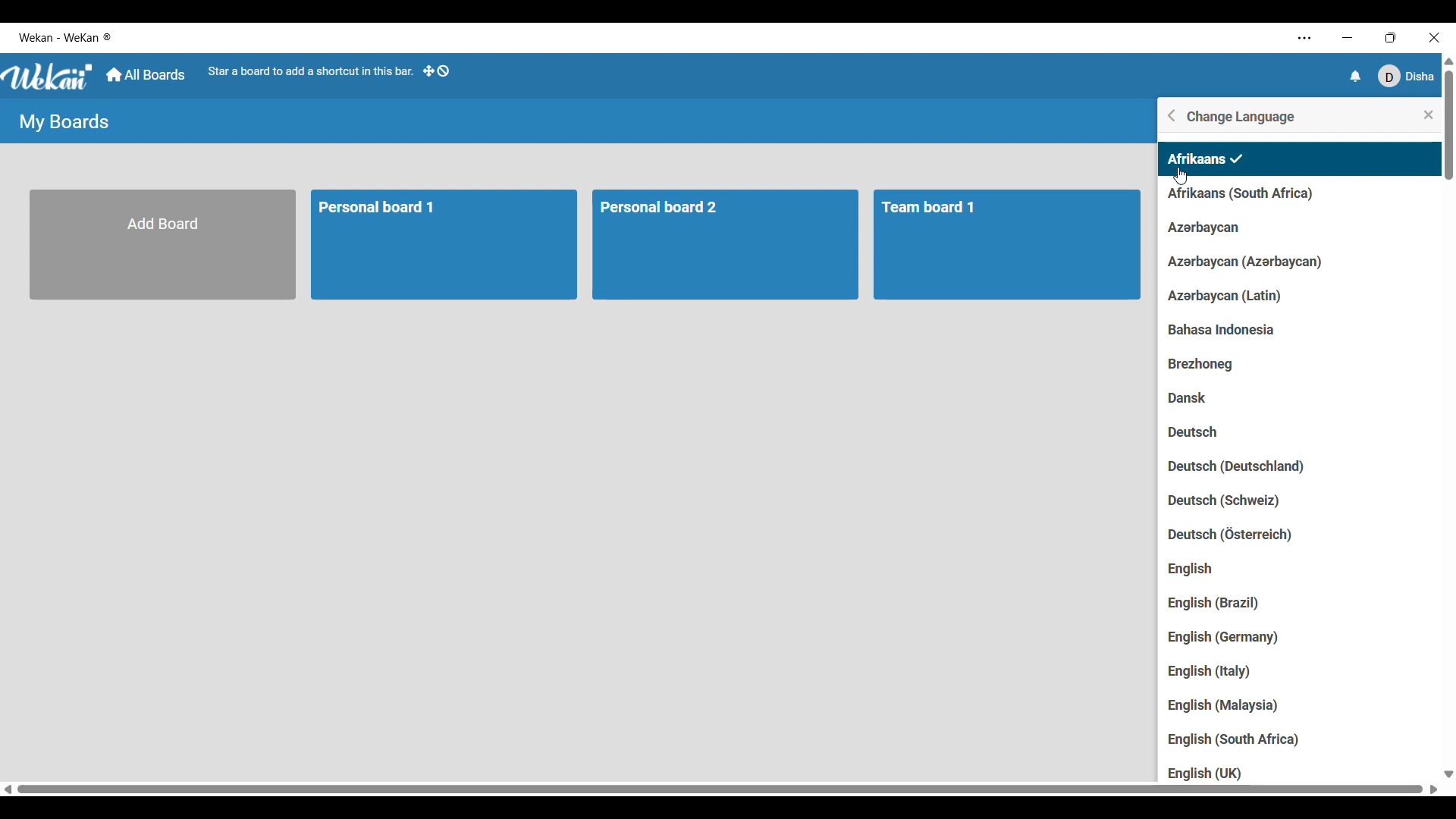  I want to click on Quick slide to left, so click(8, 789).